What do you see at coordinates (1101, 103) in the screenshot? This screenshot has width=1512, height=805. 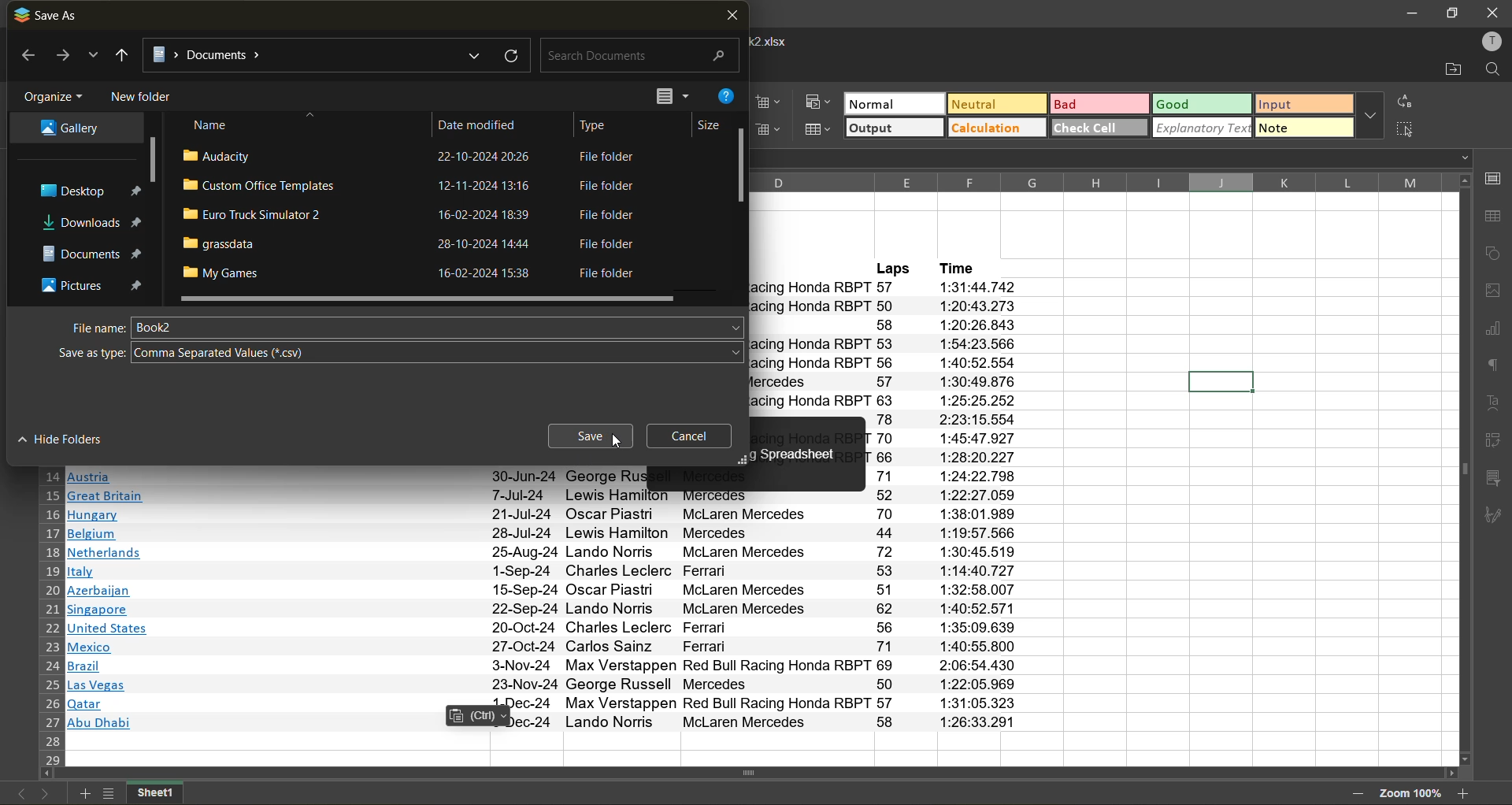 I see `bad` at bounding box center [1101, 103].